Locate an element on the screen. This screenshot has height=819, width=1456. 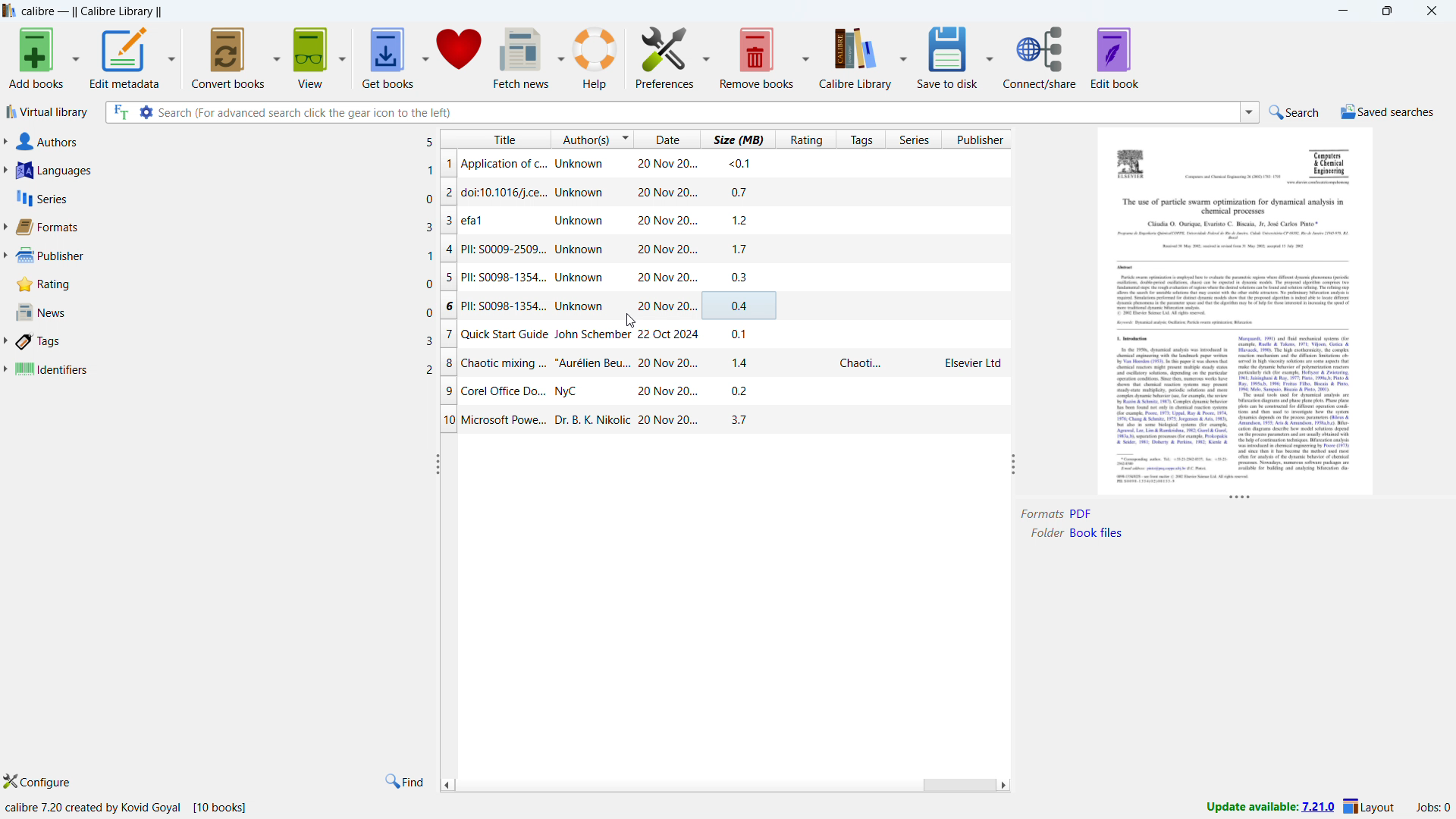
calibre library is located at coordinates (856, 56).